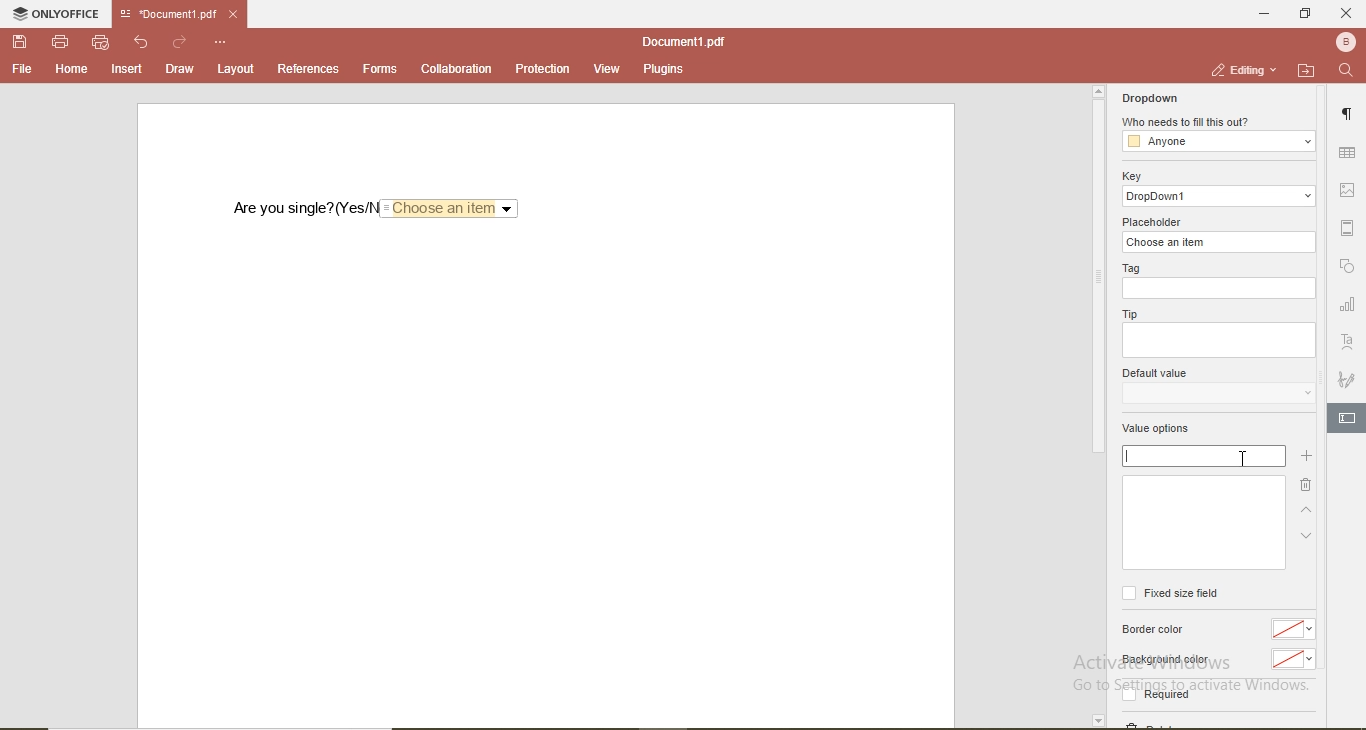 This screenshot has height=730, width=1366. Describe the element at coordinates (1166, 430) in the screenshot. I see `value options` at that location.